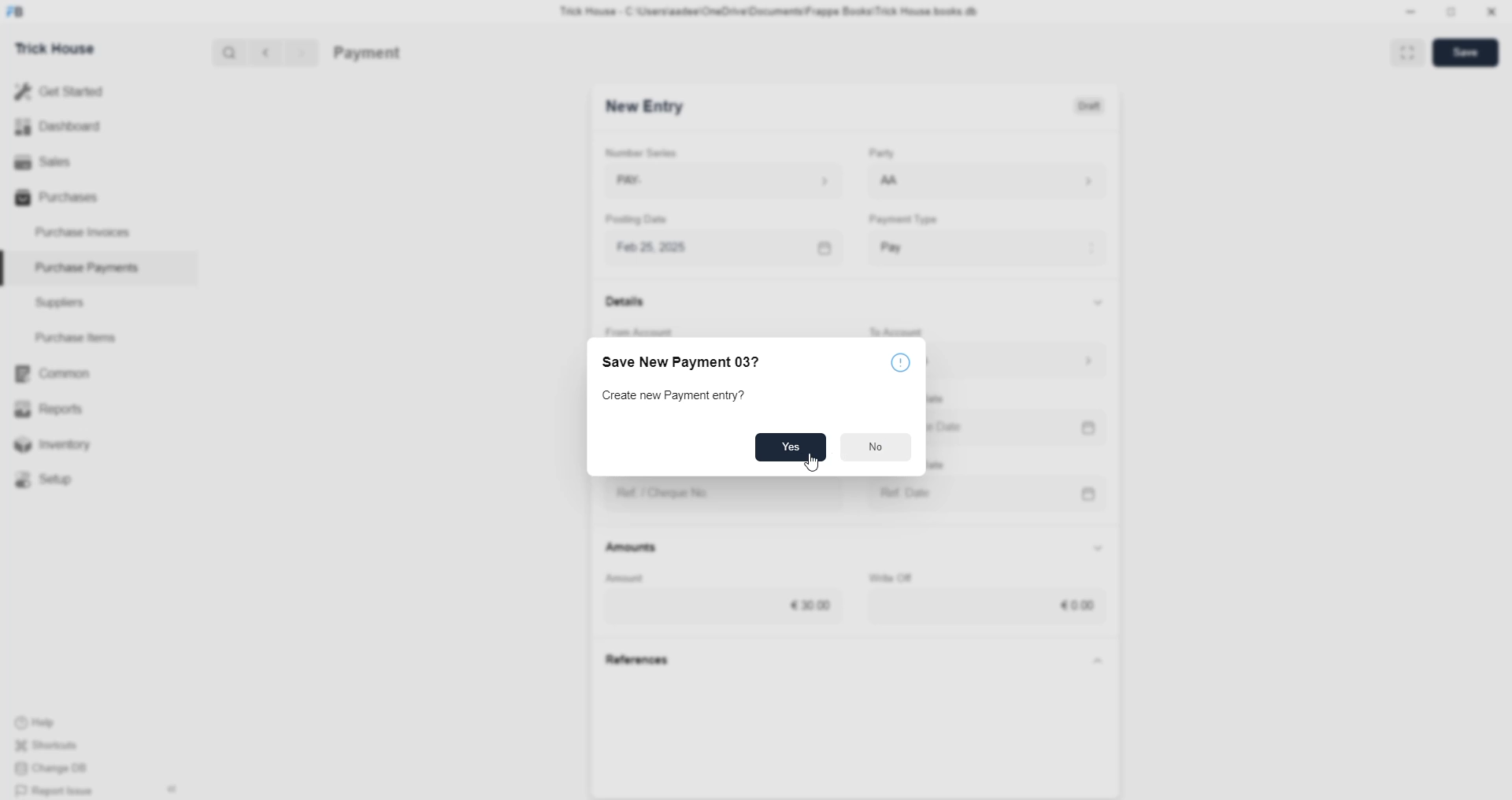  Describe the element at coordinates (406, 53) in the screenshot. I see `Purchase Invoice` at that location.